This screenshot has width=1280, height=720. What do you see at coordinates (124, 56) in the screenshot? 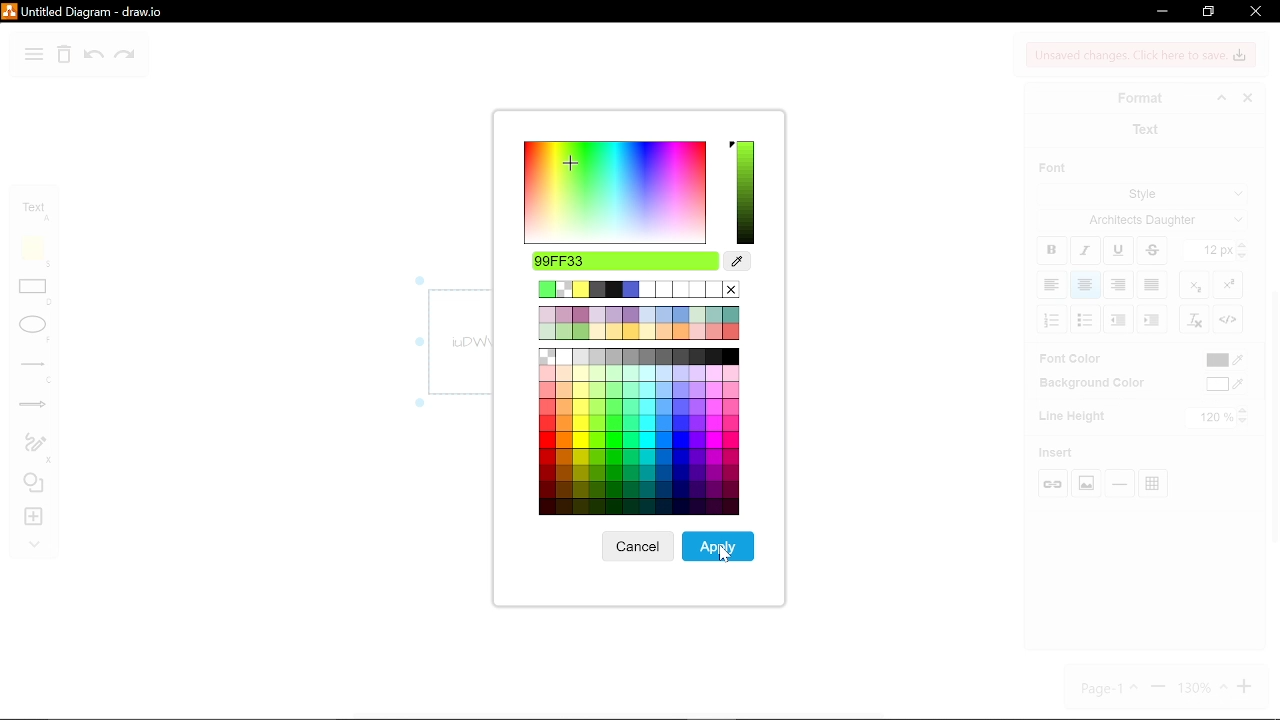
I see `redo` at bounding box center [124, 56].